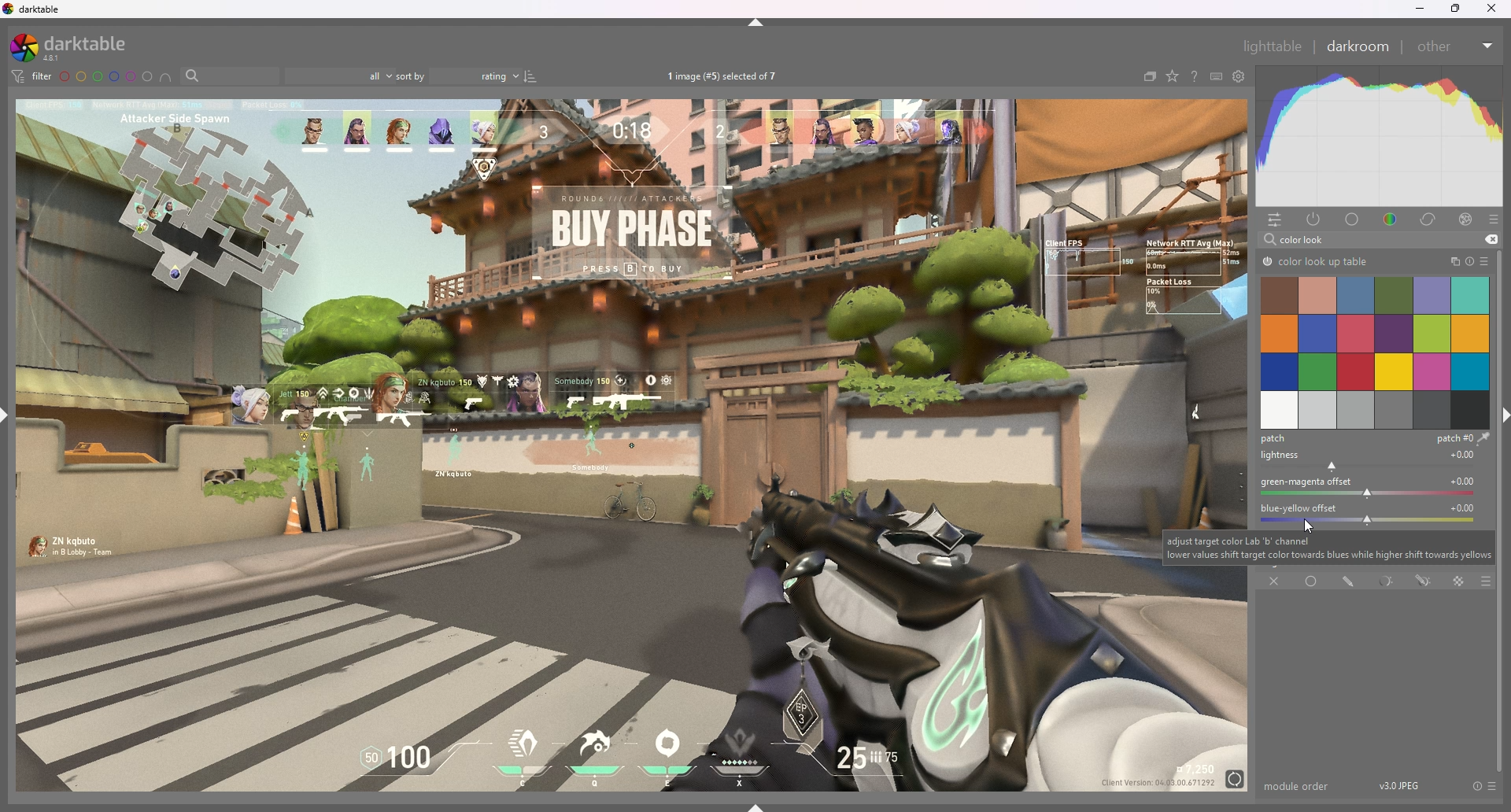 The height and width of the screenshot is (812, 1511). Describe the element at coordinates (457, 76) in the screenshot. I see `sort by` at that location.